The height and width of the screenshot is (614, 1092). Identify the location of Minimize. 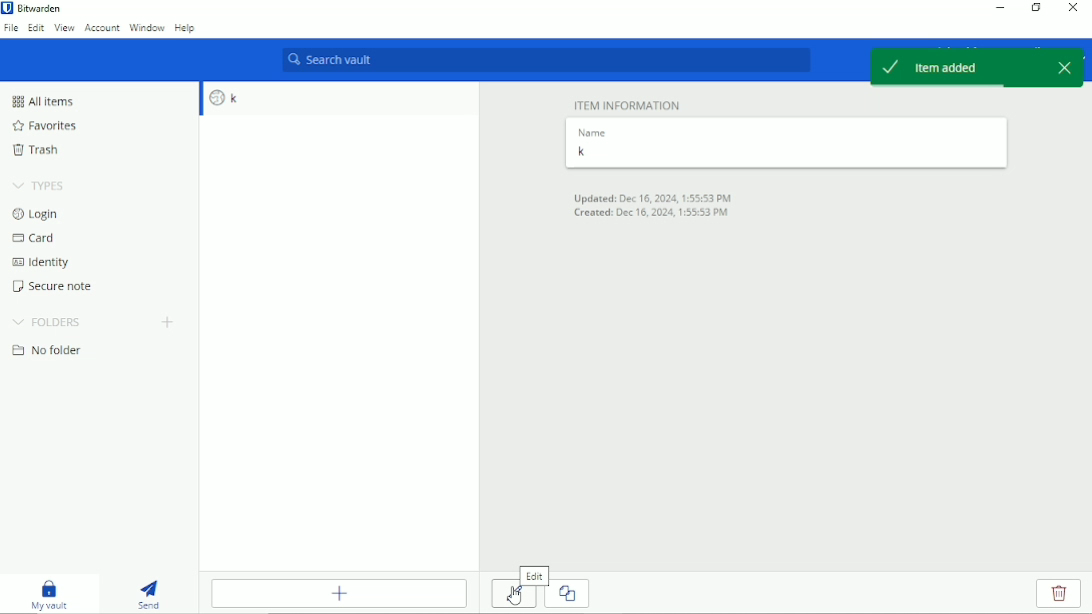
(1001, 9).